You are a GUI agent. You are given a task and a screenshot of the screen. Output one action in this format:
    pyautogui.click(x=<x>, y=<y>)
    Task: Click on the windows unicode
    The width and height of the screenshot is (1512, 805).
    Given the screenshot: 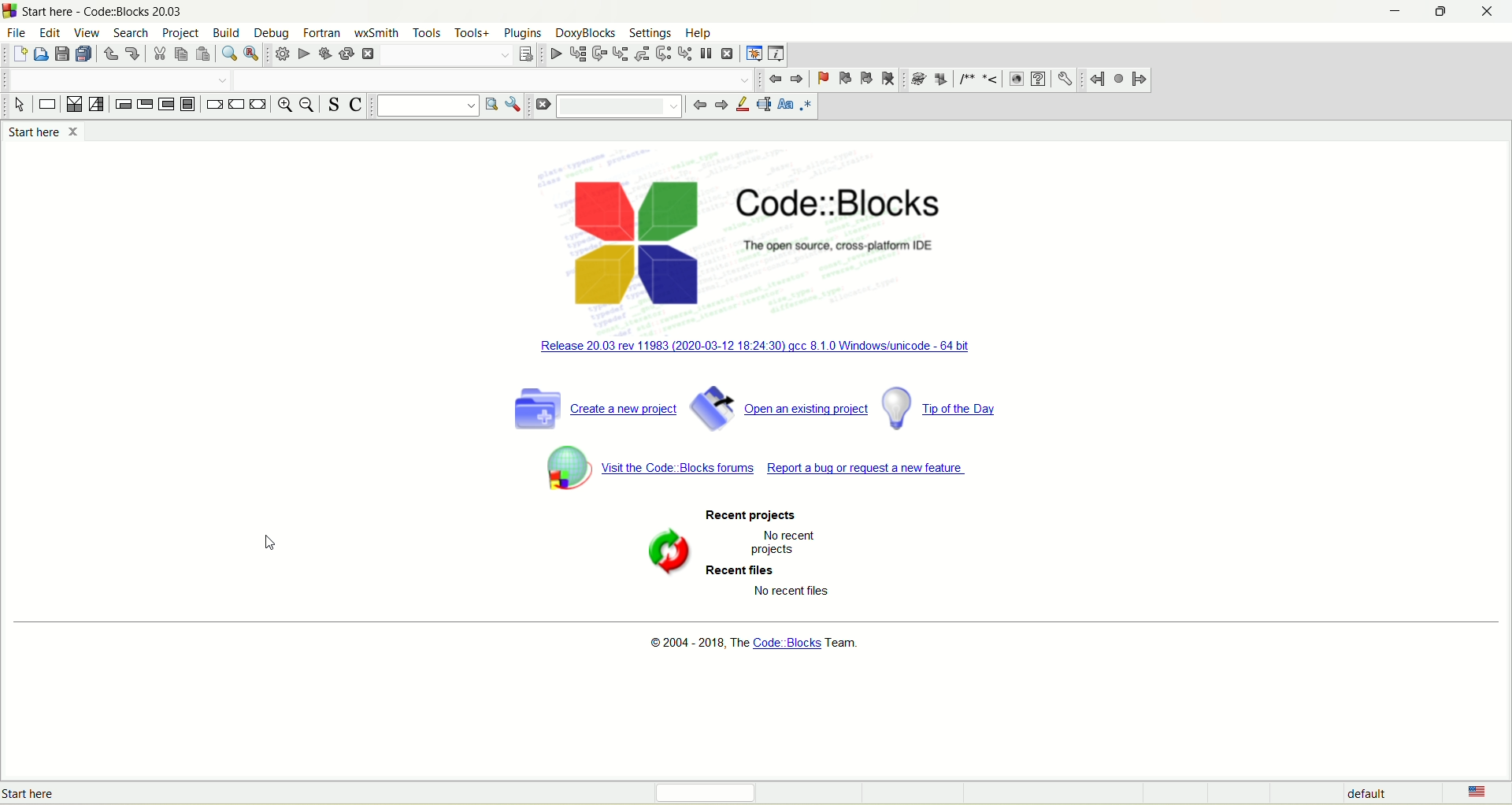 What is the action you would take?
    pyautogui.click(x=754, y=346)
    